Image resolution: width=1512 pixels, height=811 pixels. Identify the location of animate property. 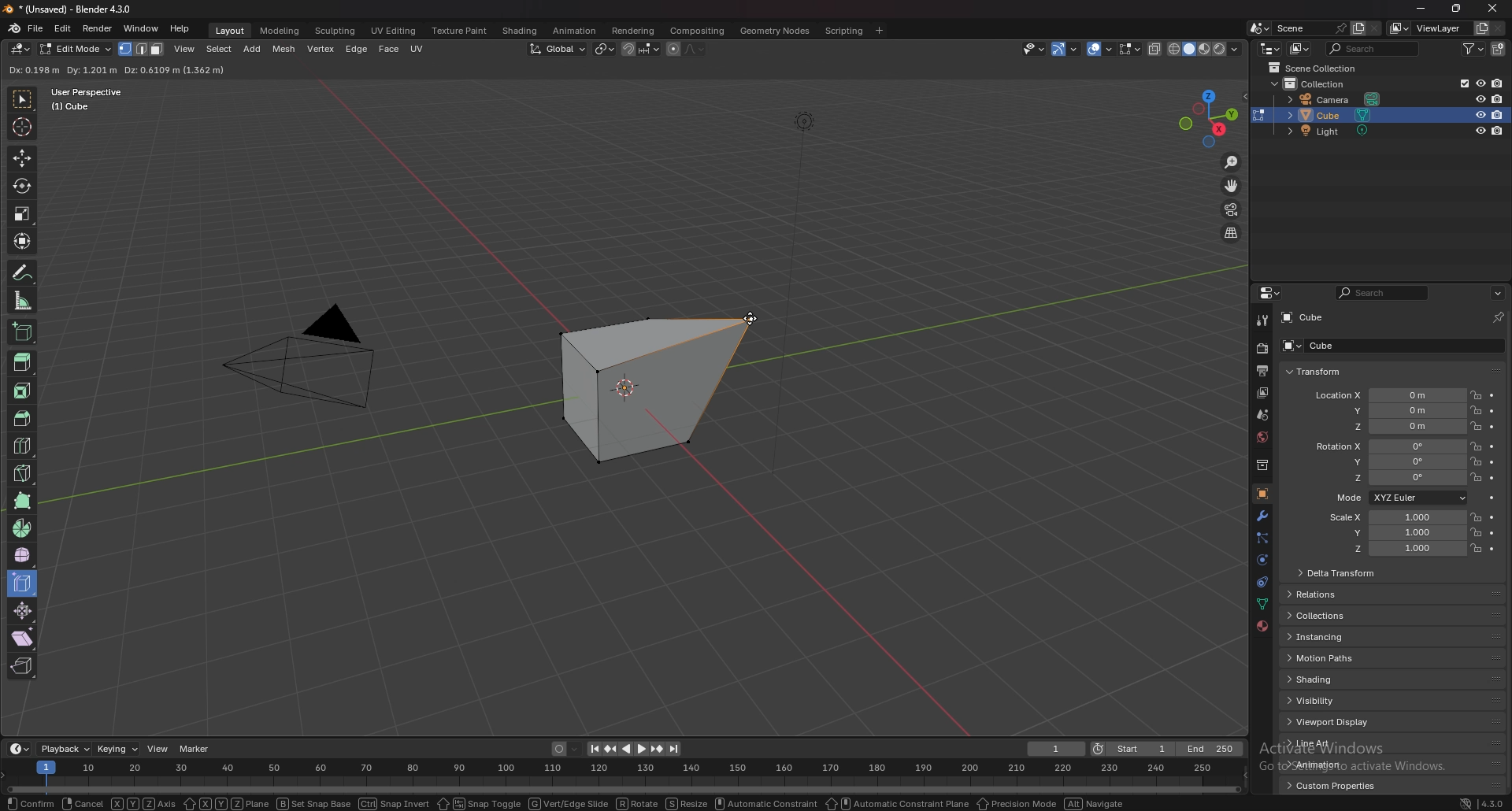
(1492, 427).